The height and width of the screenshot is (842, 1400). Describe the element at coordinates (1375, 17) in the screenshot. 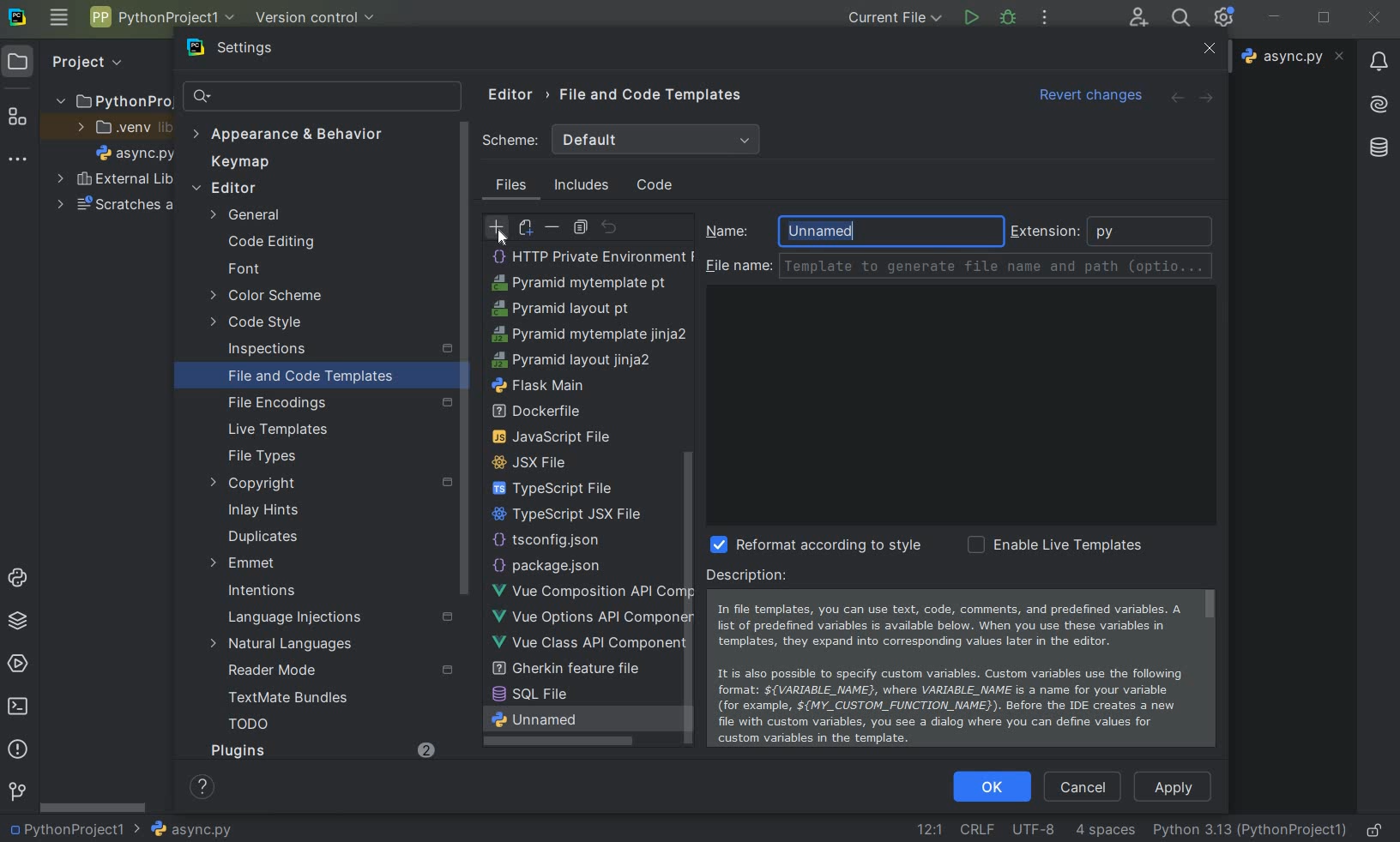

I see `close` at that location.